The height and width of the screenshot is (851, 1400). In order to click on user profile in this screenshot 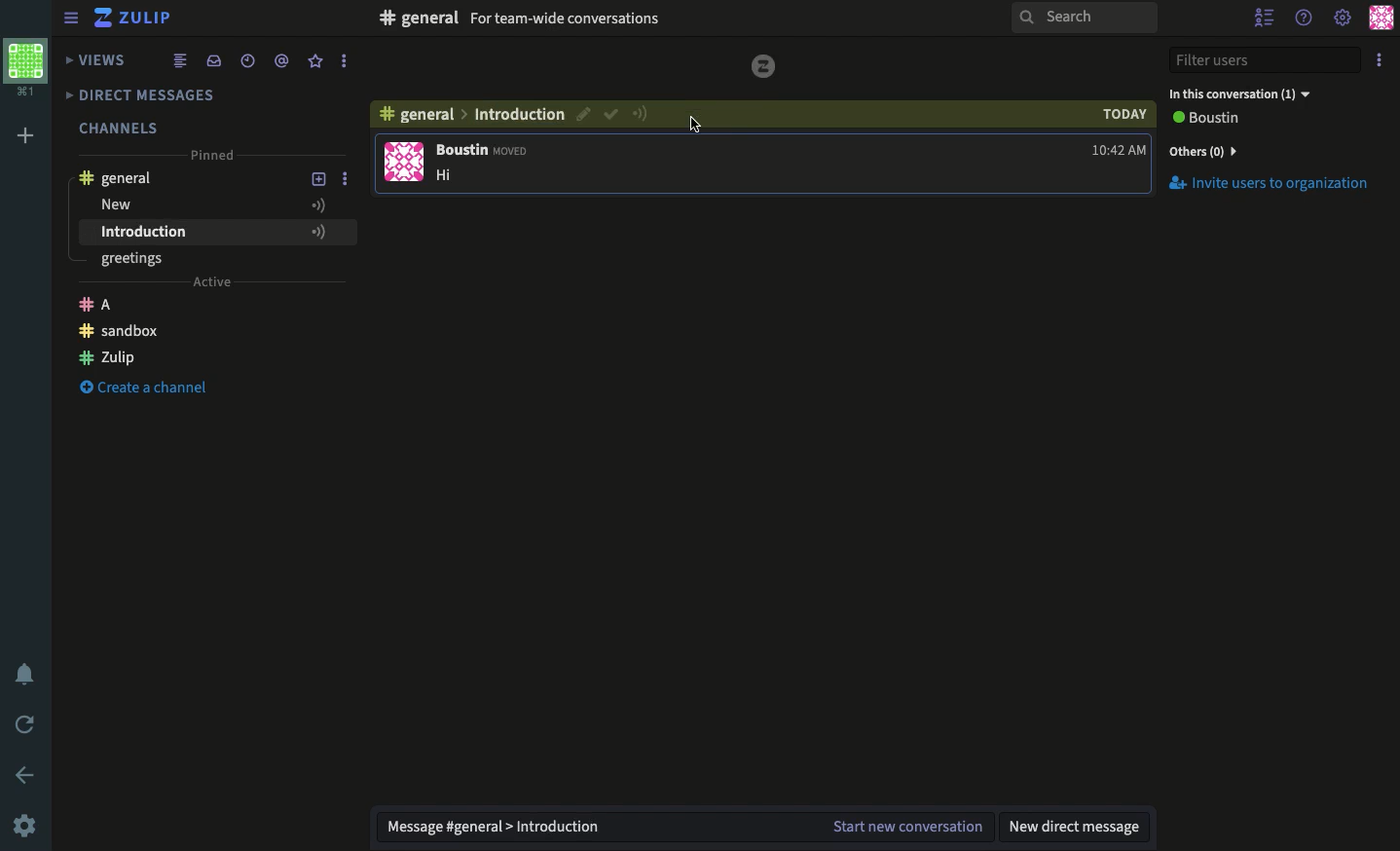, I will do `click(406, 163)`.